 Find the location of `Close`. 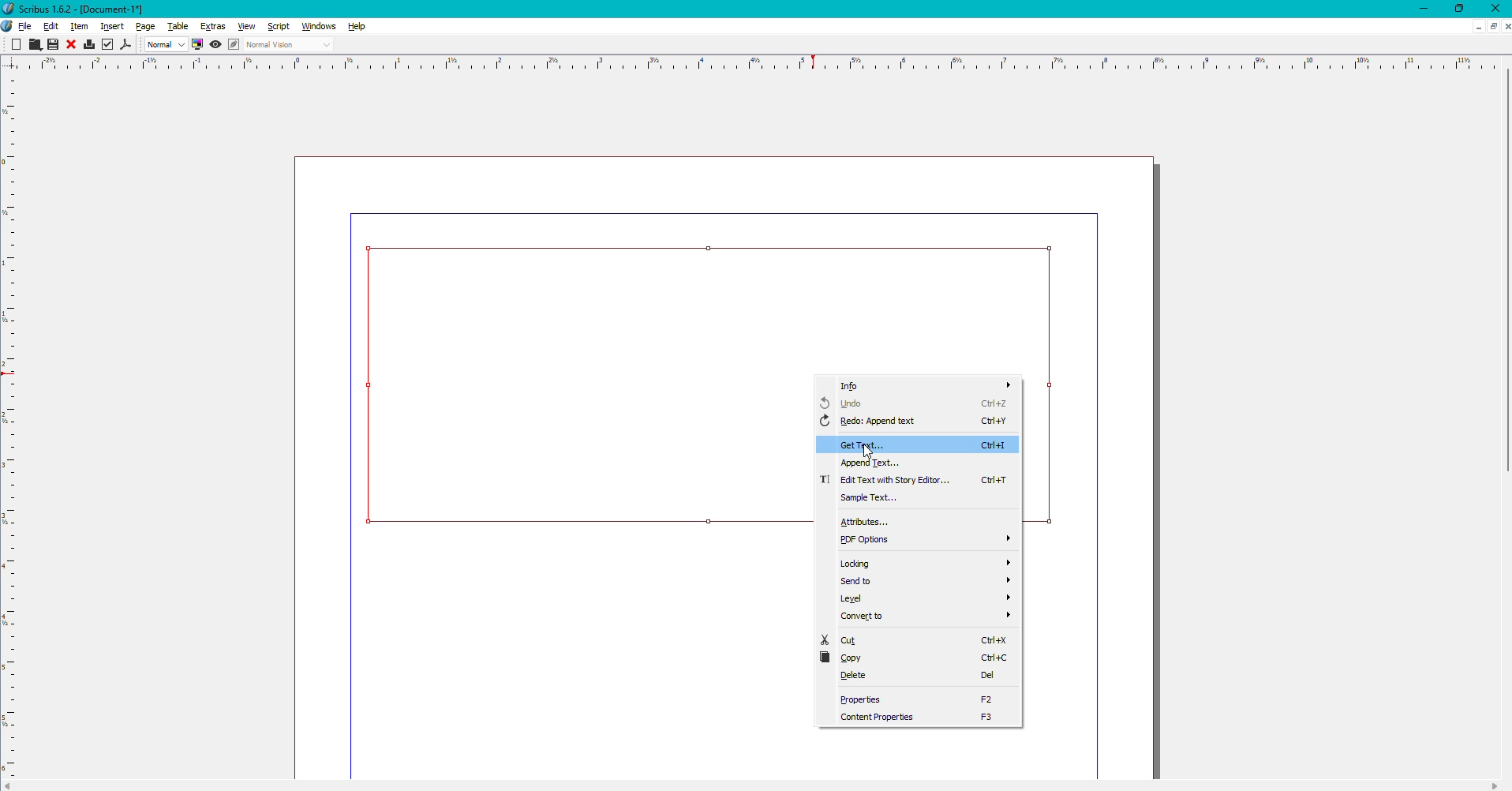

Close is located at coordinates (70, 43).